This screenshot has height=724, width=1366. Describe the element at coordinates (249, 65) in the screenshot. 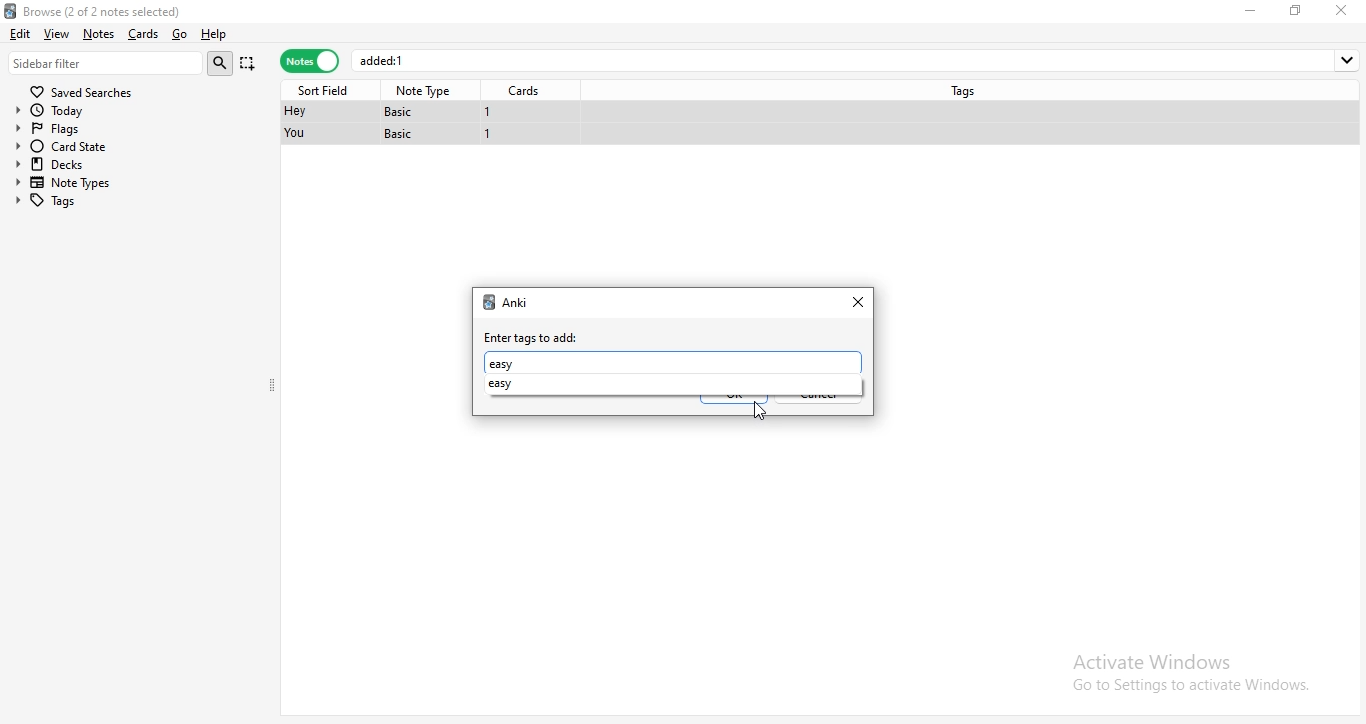

I see `append` at that location.